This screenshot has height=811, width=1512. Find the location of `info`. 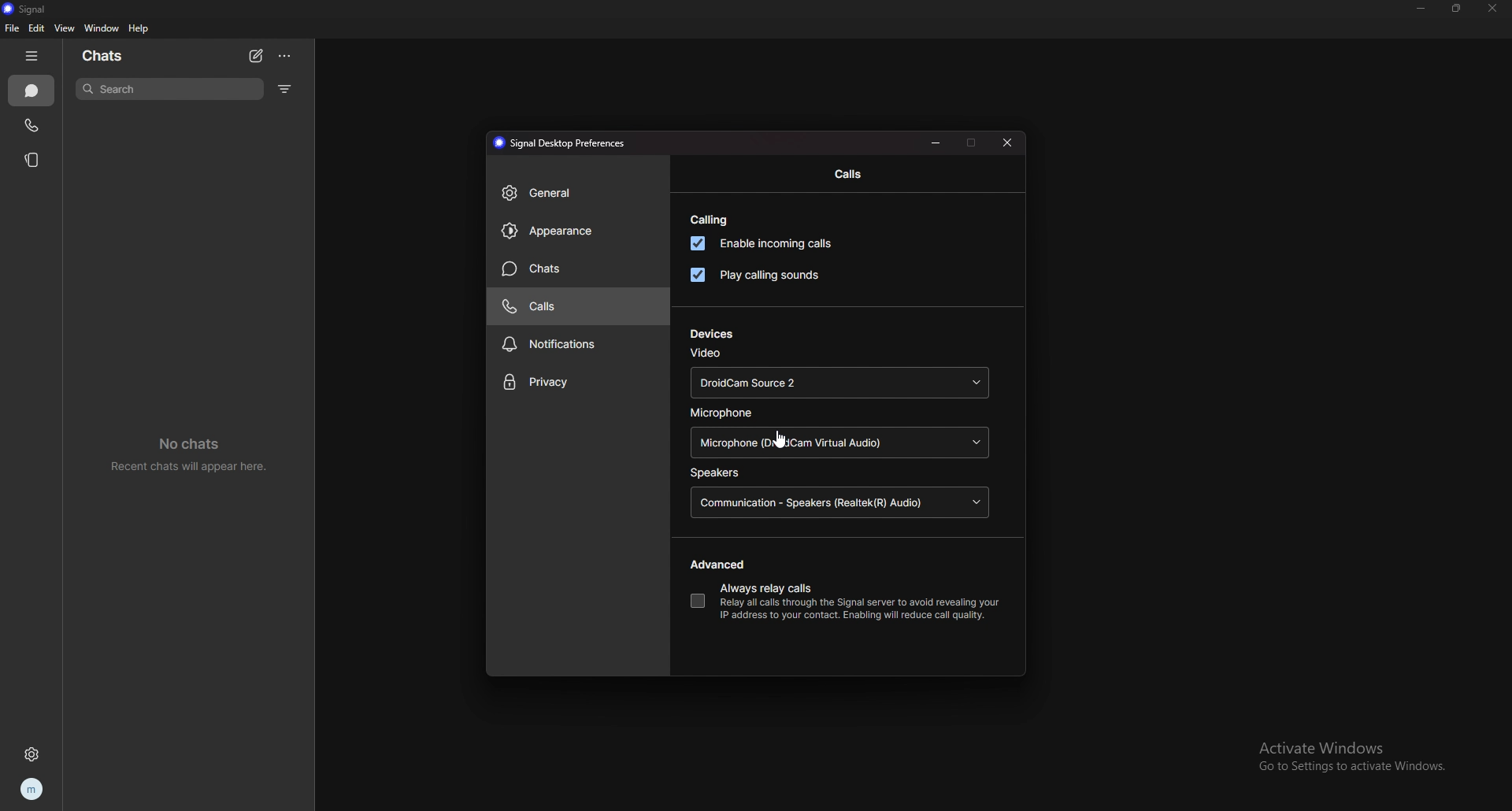

info is located at coordinates (859, 609).